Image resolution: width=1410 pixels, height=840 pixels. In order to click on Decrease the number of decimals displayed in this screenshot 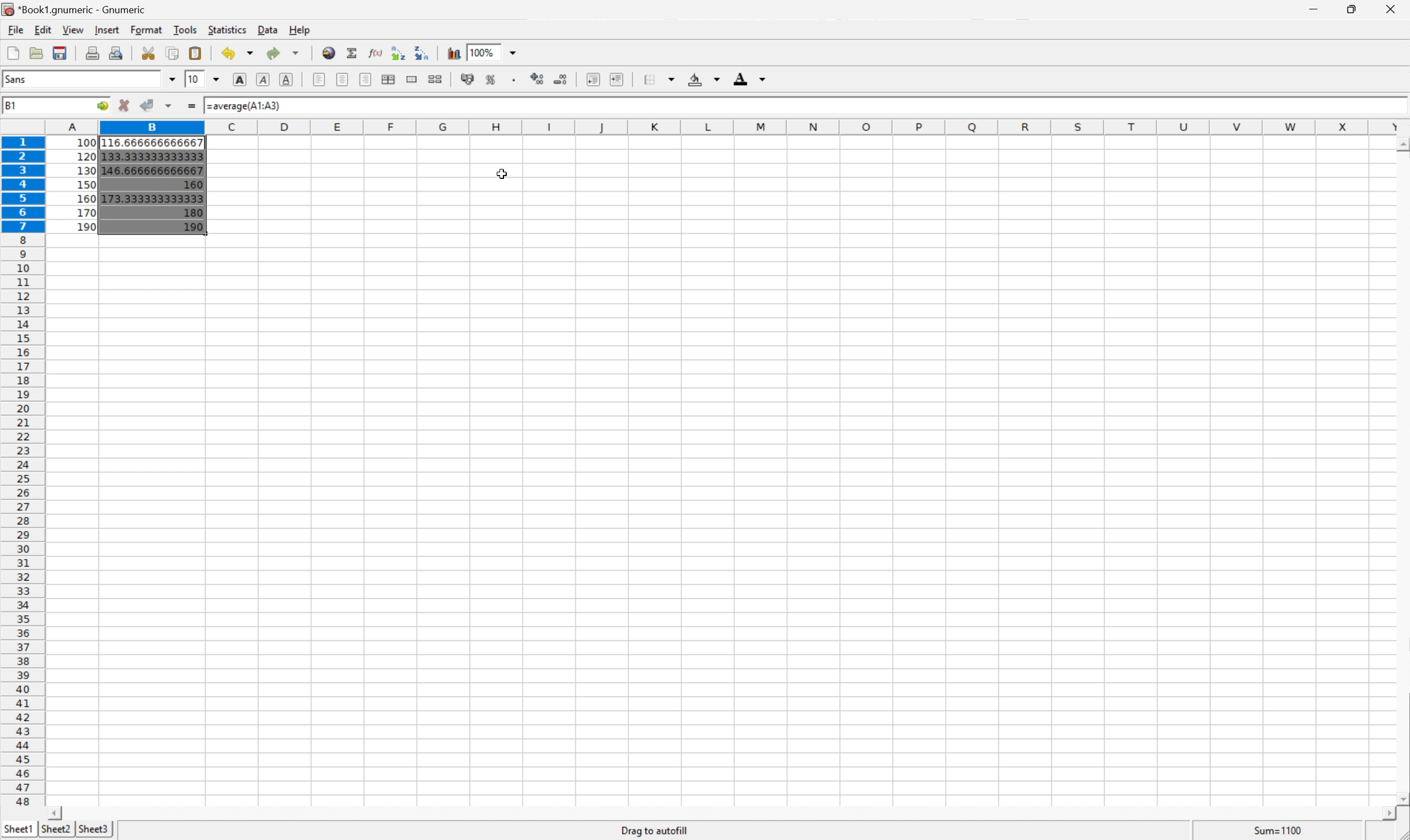, I will do `click(562, 80)`.